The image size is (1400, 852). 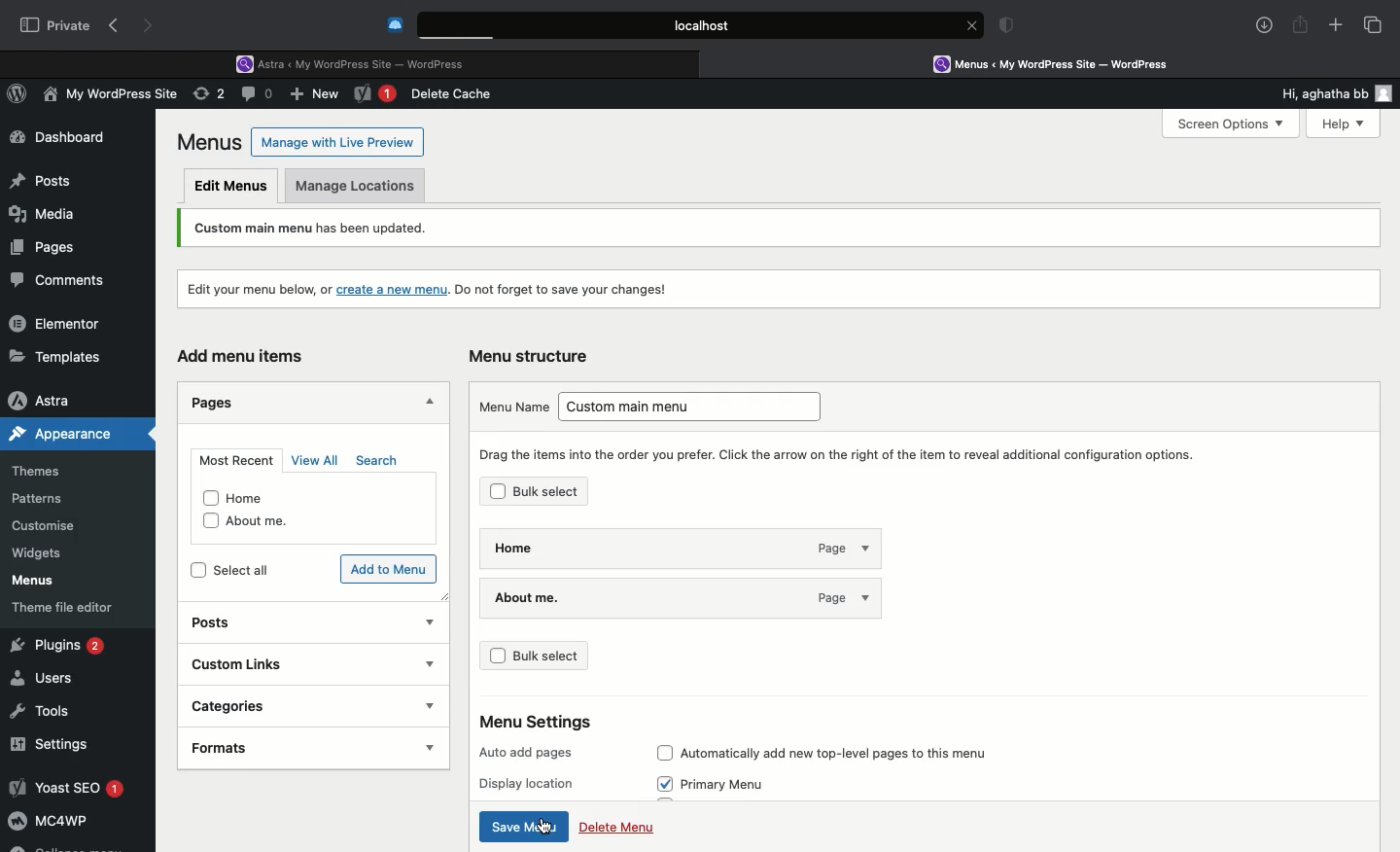 I want to click on show, so click(x=421, y=705).